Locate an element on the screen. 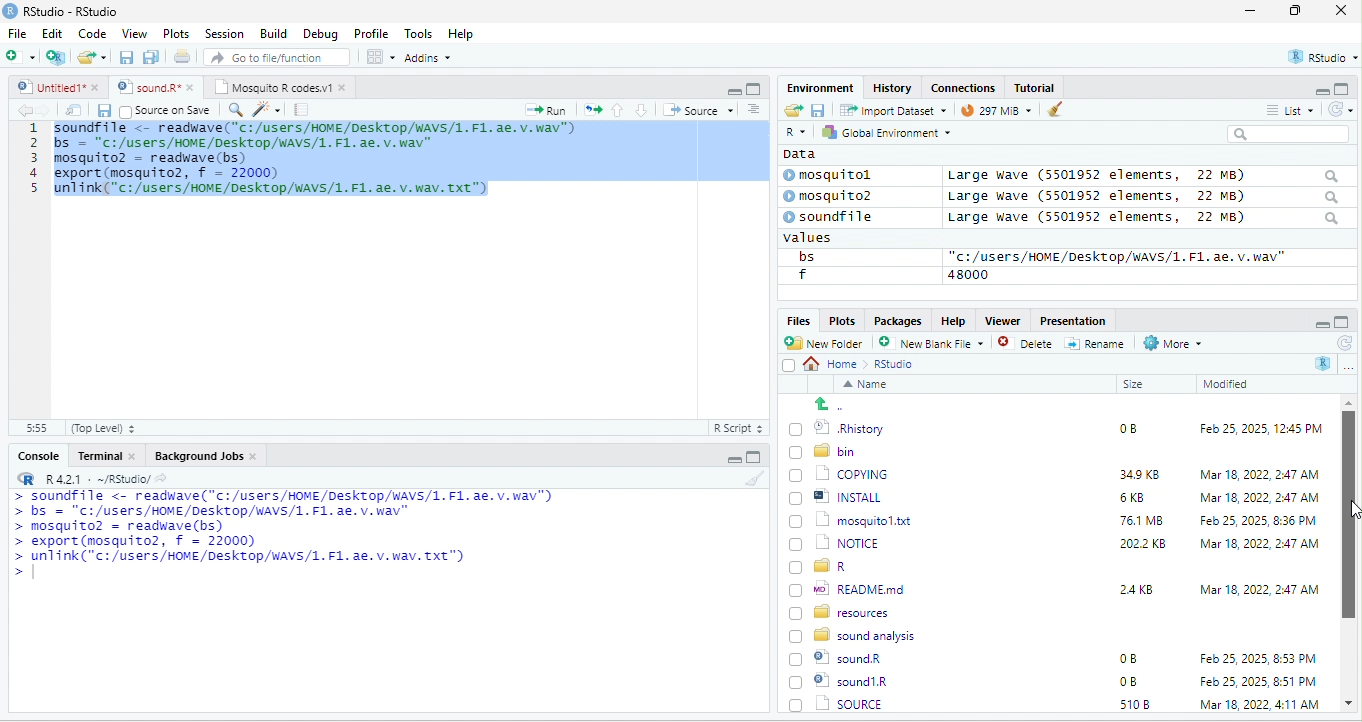  9 mb is located at coordinates (993, 112).